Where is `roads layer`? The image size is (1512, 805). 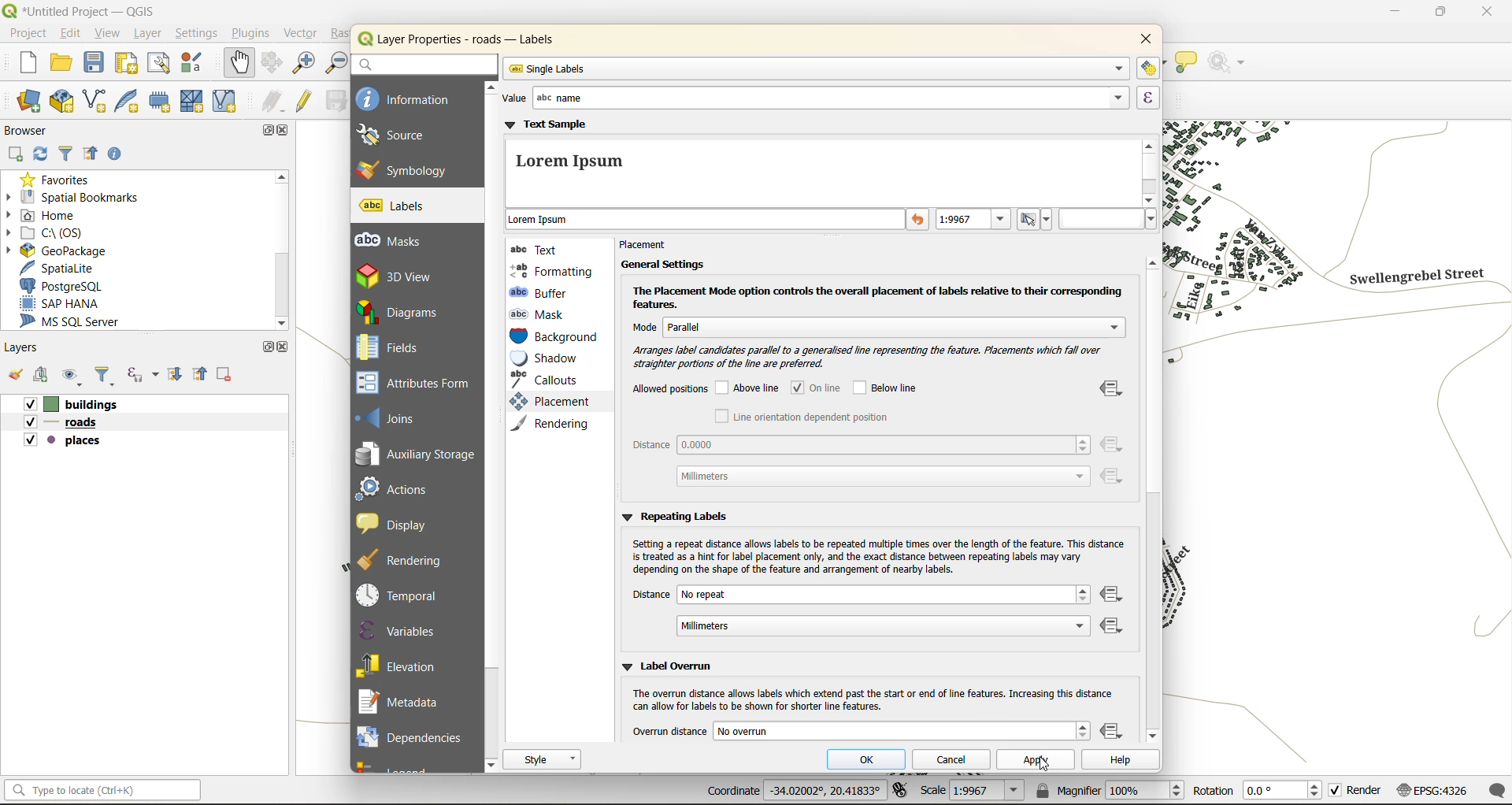
roads layer is located at coordinates (68, 423).